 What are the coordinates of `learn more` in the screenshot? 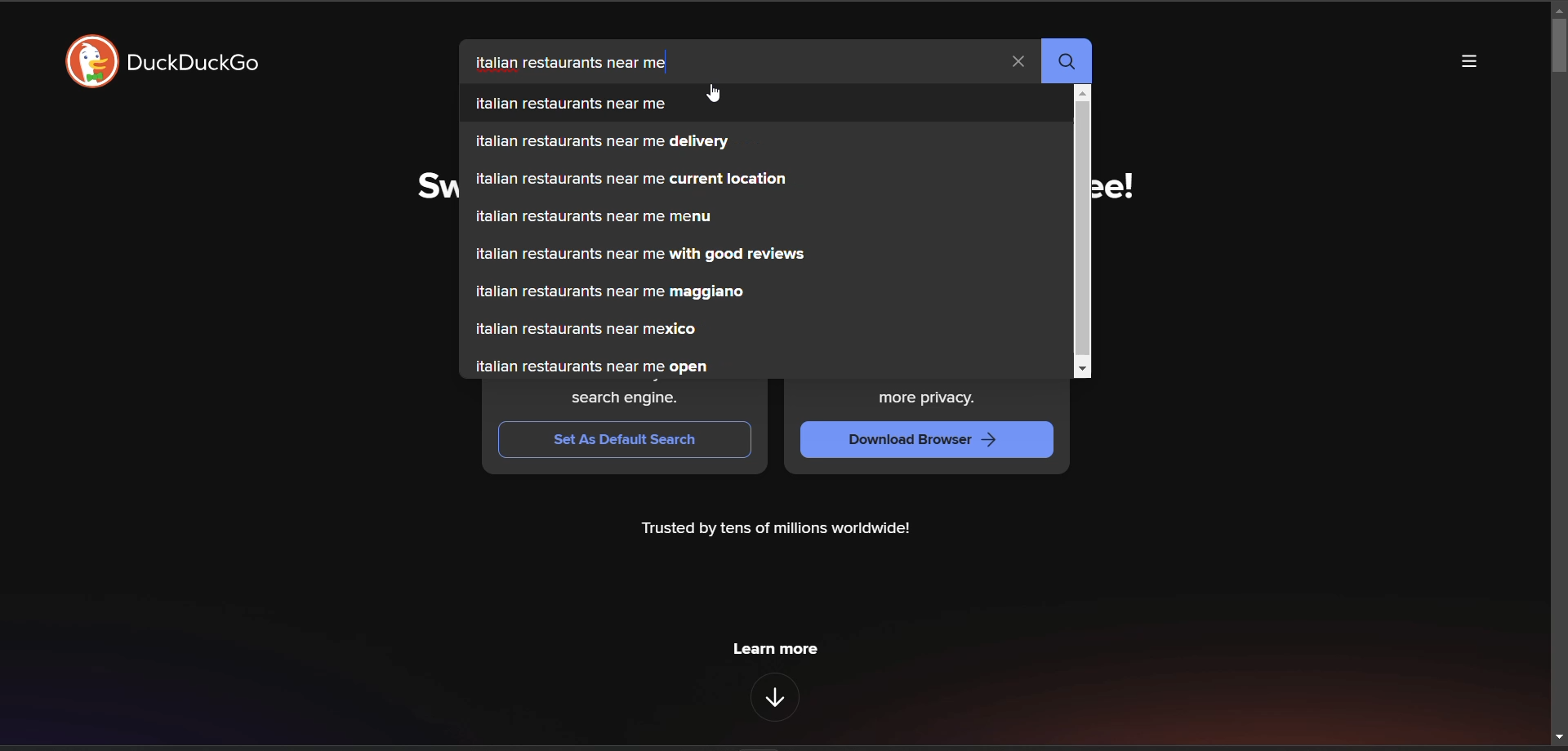 It's located at (775, 649).